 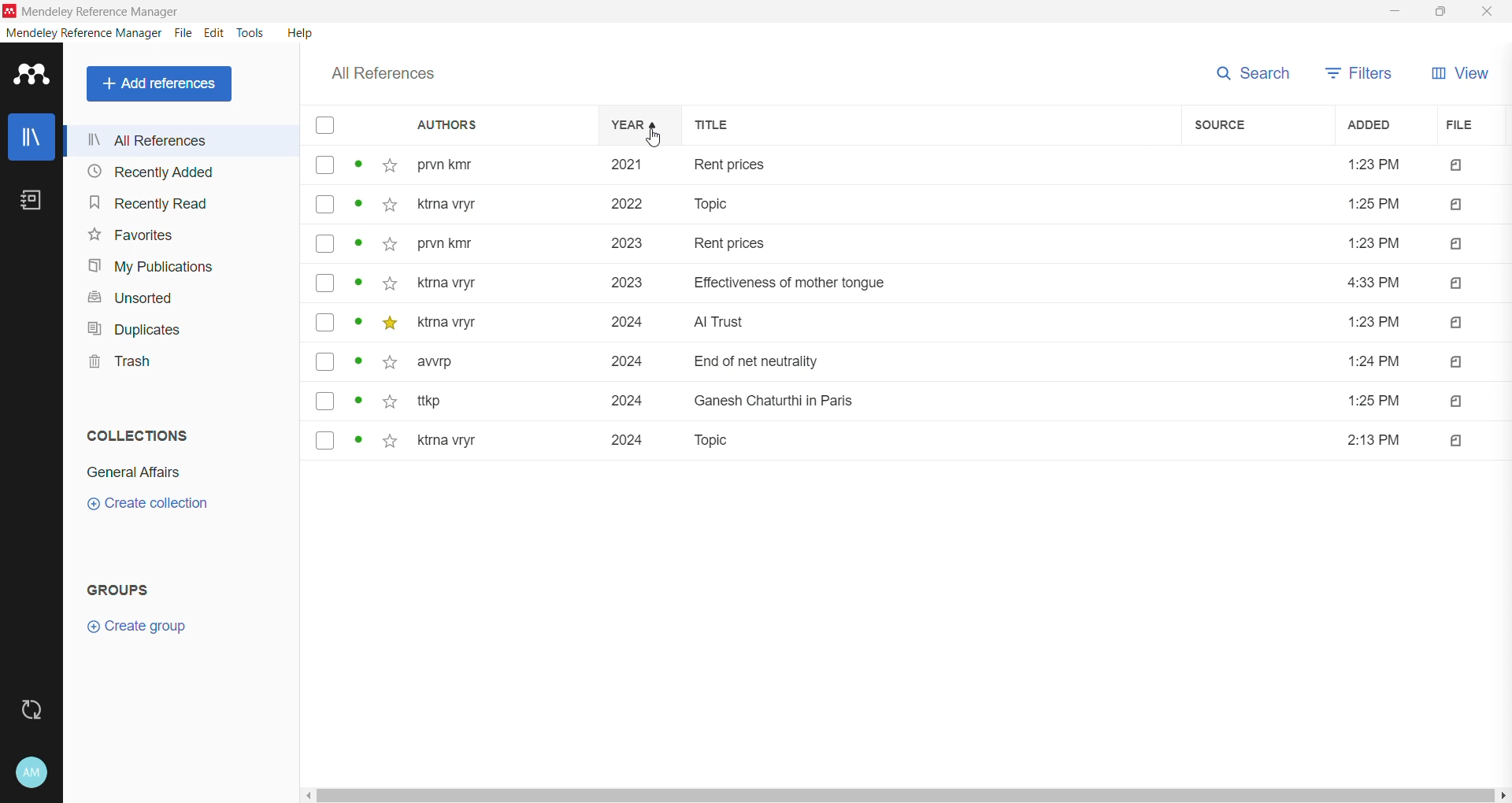 What do you see at coordinates (1221, 125) in the screenshot?
I see `source` at bounding box center [1221, 125].